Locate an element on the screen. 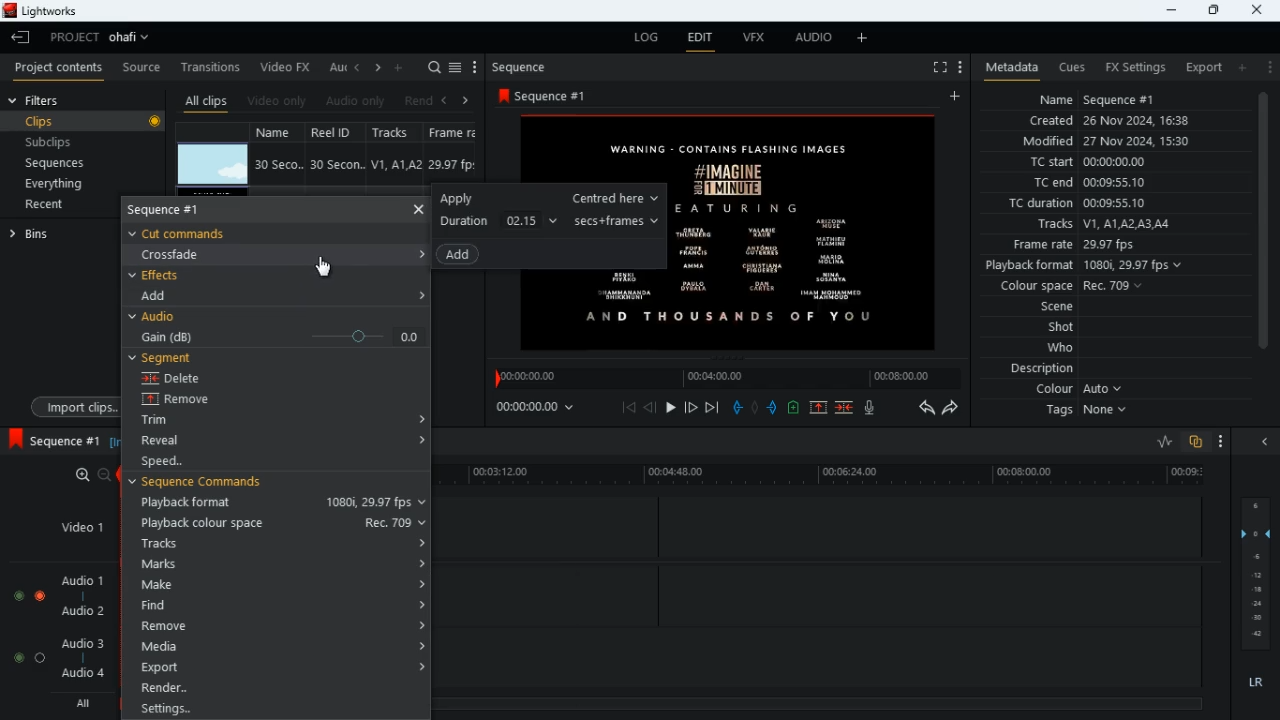 The height and width of the screenshot is (720, 1280). push is located at coordinates (775, 409).